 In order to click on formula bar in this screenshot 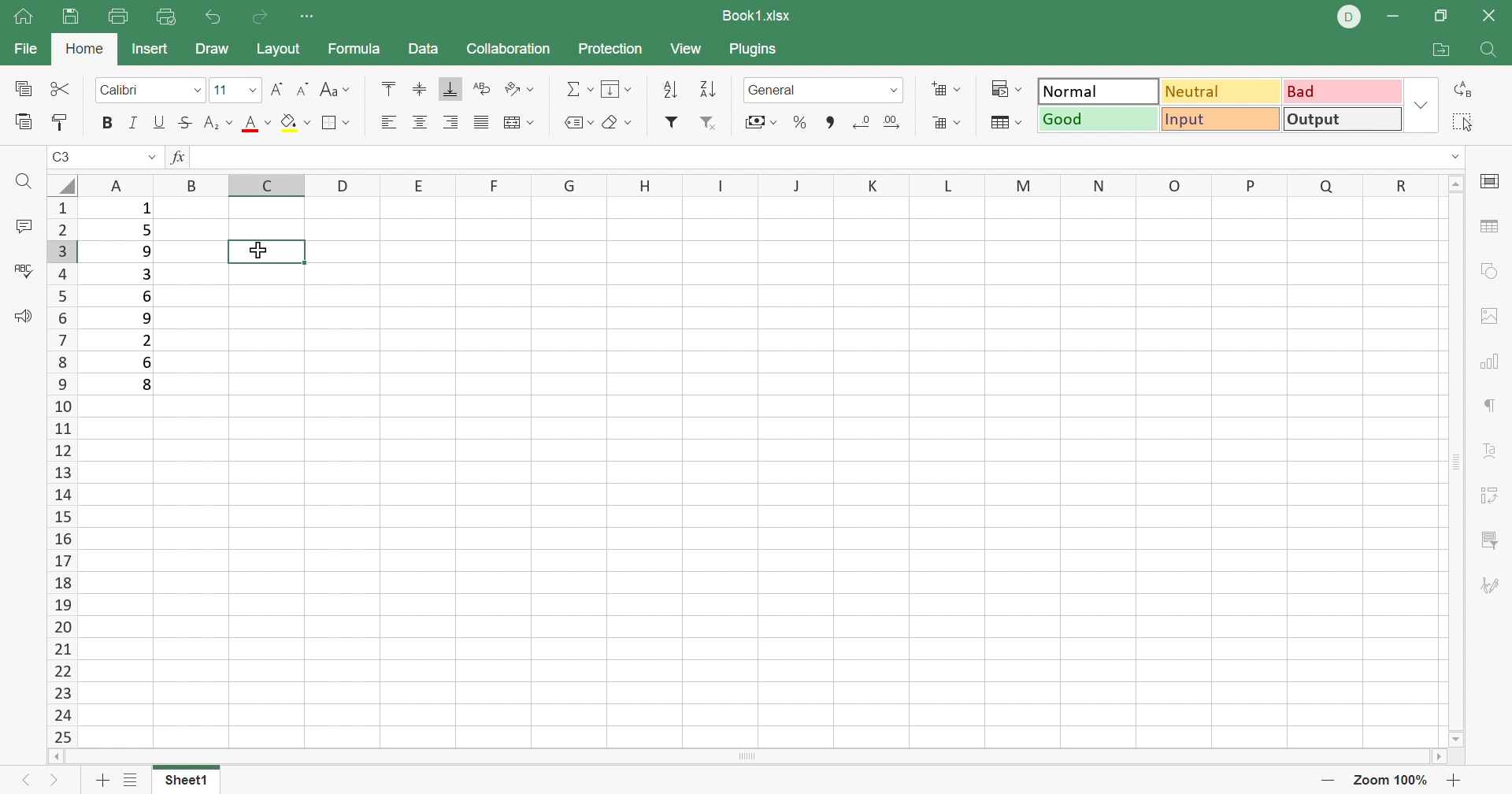, I will do `click(807, 157)`.